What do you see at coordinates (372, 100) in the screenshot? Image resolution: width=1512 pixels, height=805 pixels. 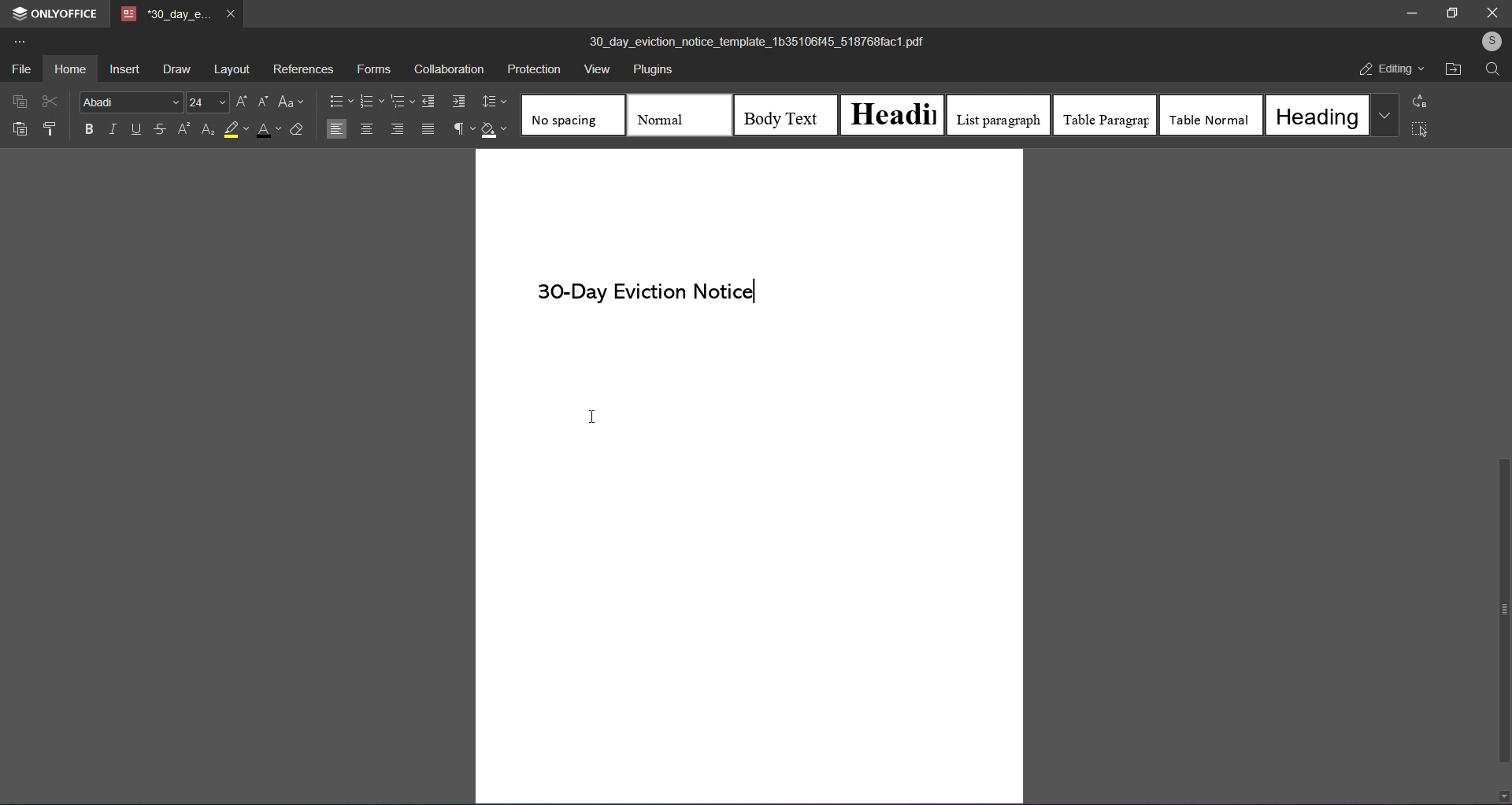 I see `numbering` at bounding box center [372, 100].